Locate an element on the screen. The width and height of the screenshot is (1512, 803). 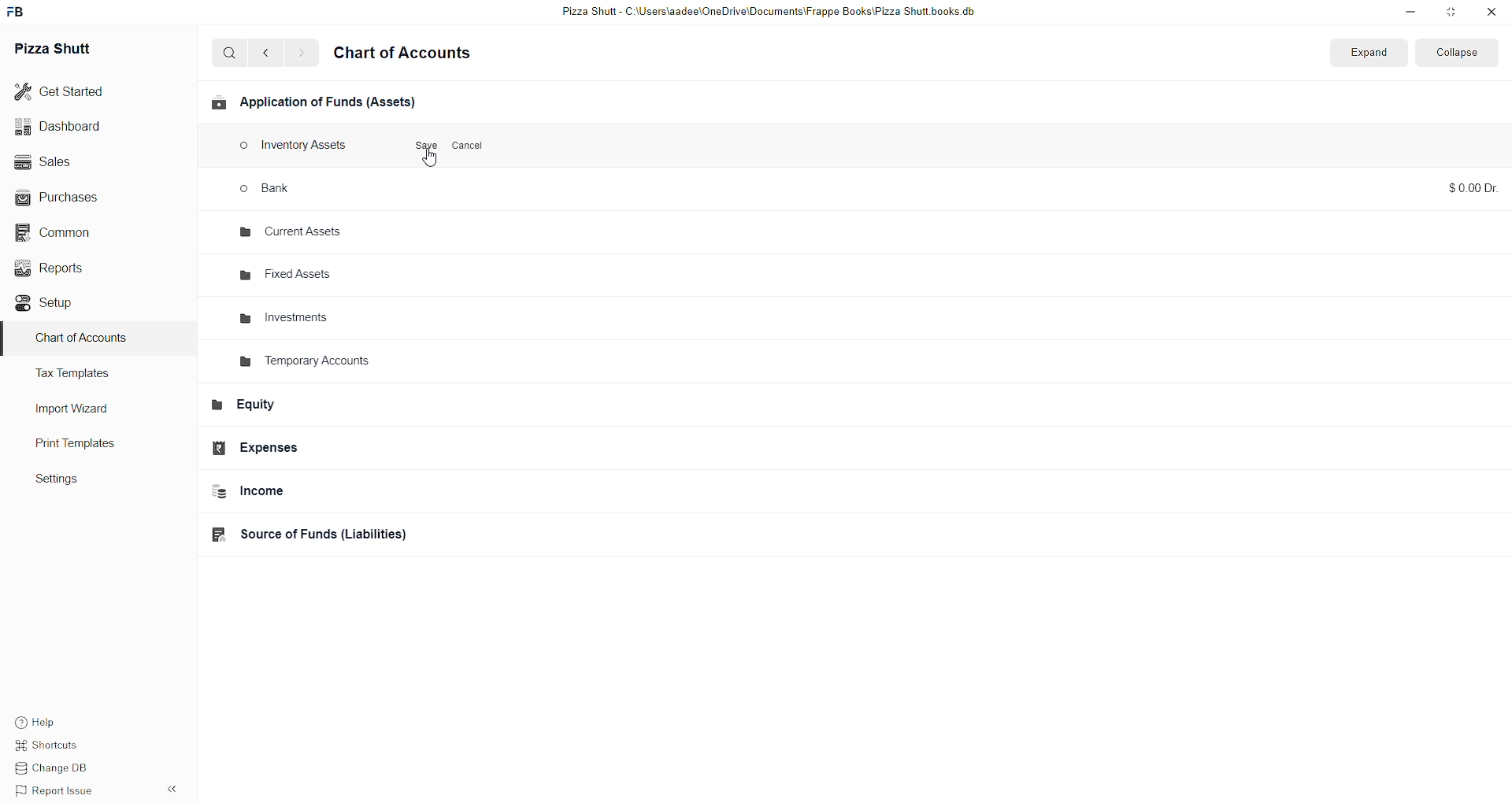
fixed assets is located at coordinates (280, 276).